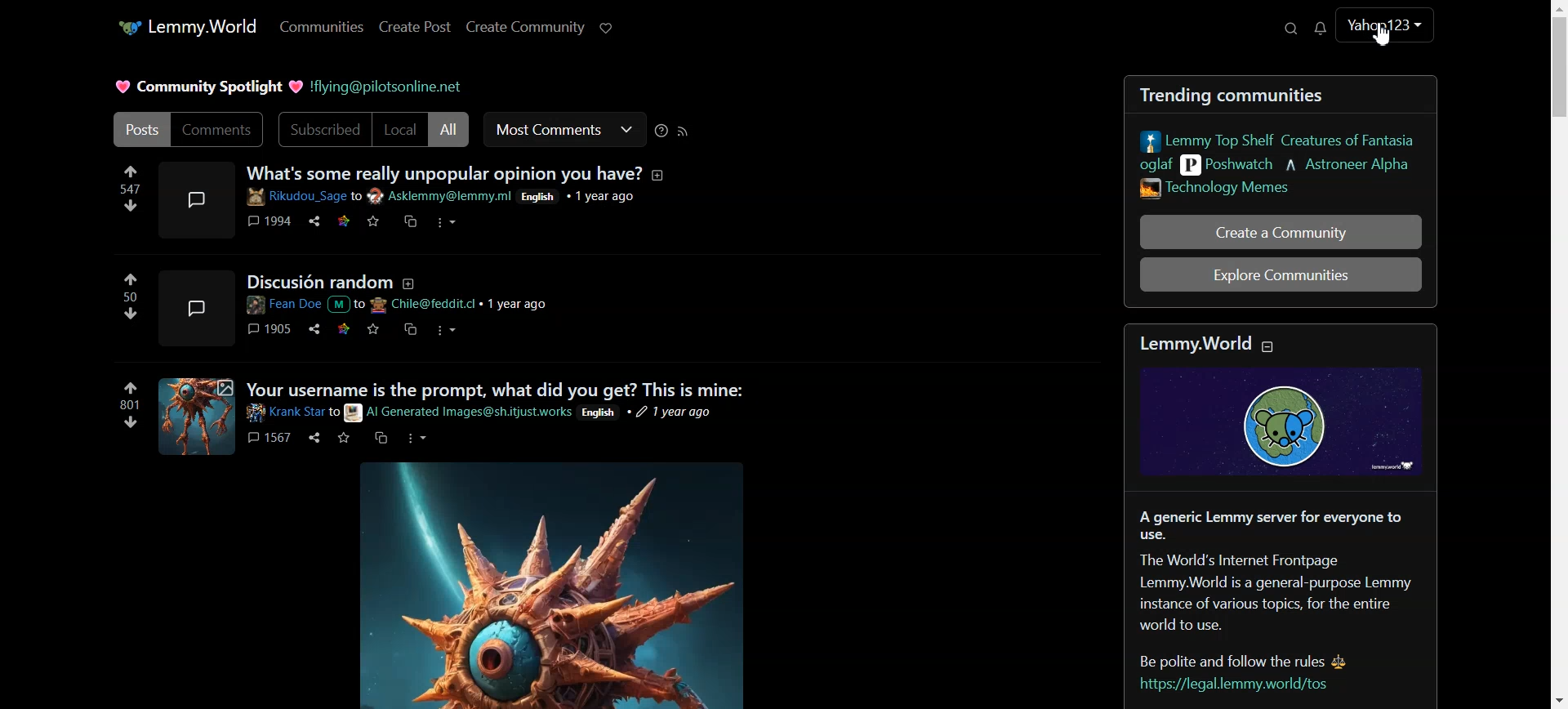 This screenshot has height=709, width=1568. I want to click on Discussion Random, so click(387, 310).